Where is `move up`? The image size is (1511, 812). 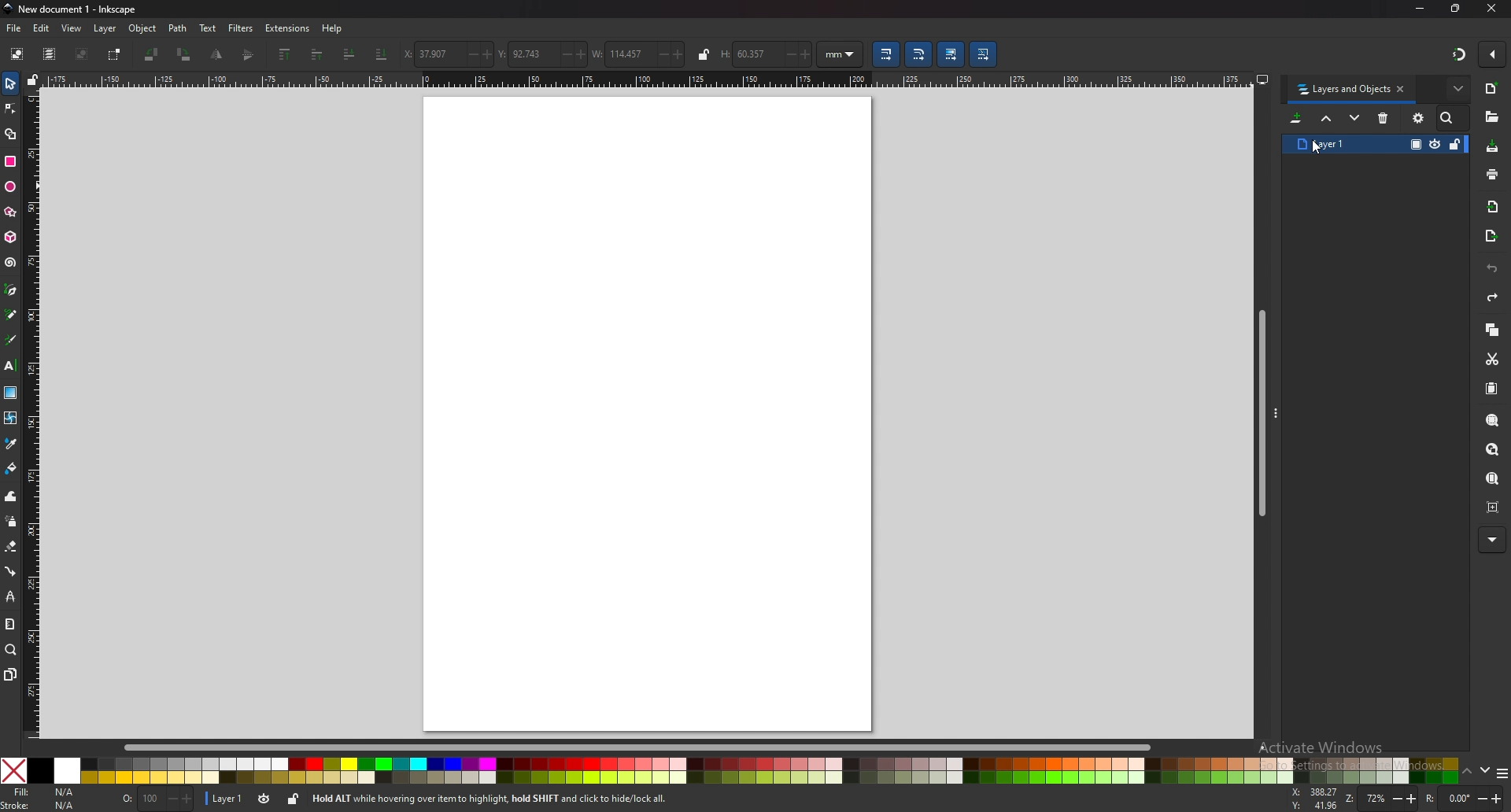 move up is located at coordinates (1327, 117).